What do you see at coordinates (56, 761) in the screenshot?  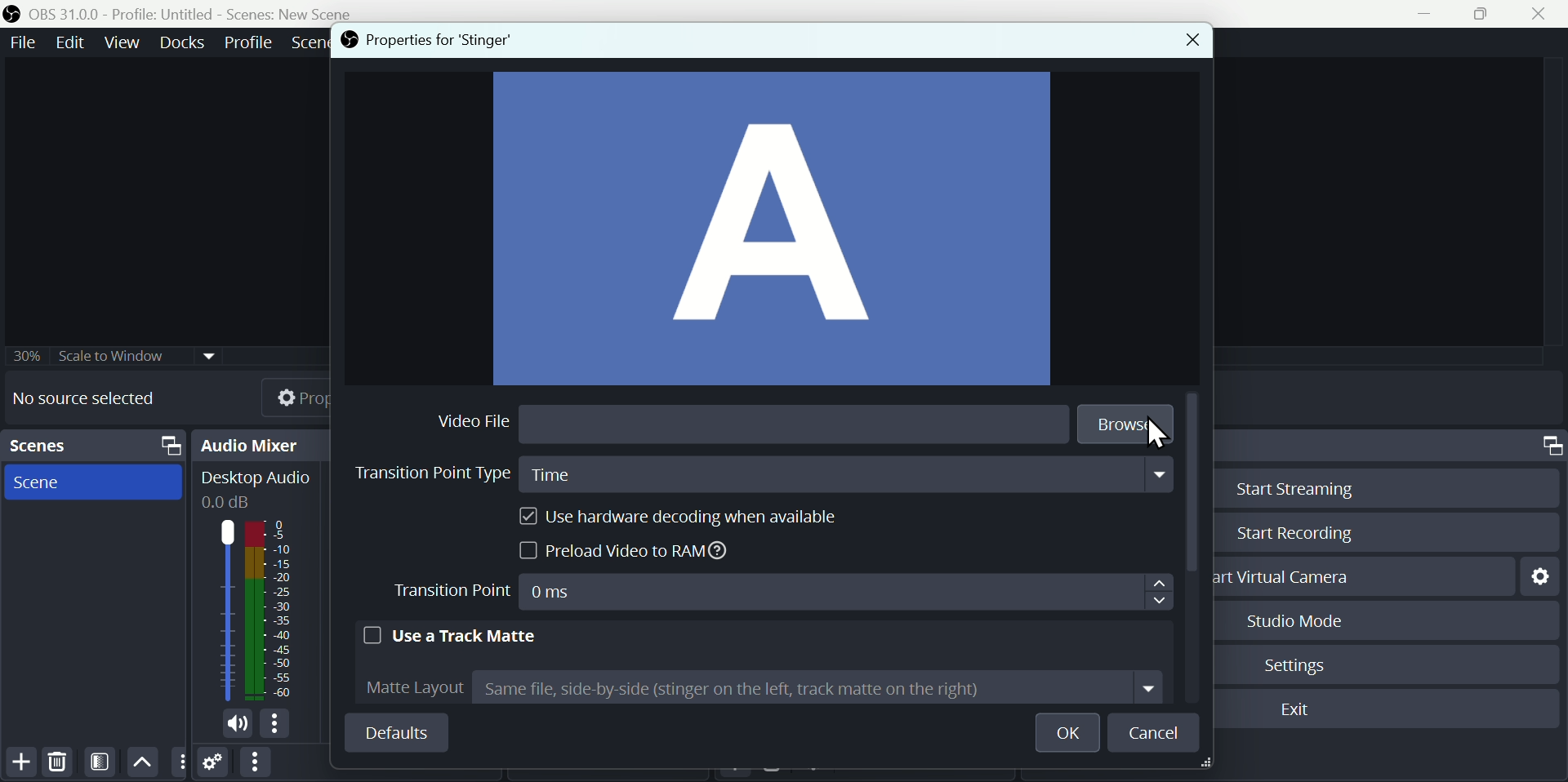 I see `Delete` at bounding box center [56, 761].